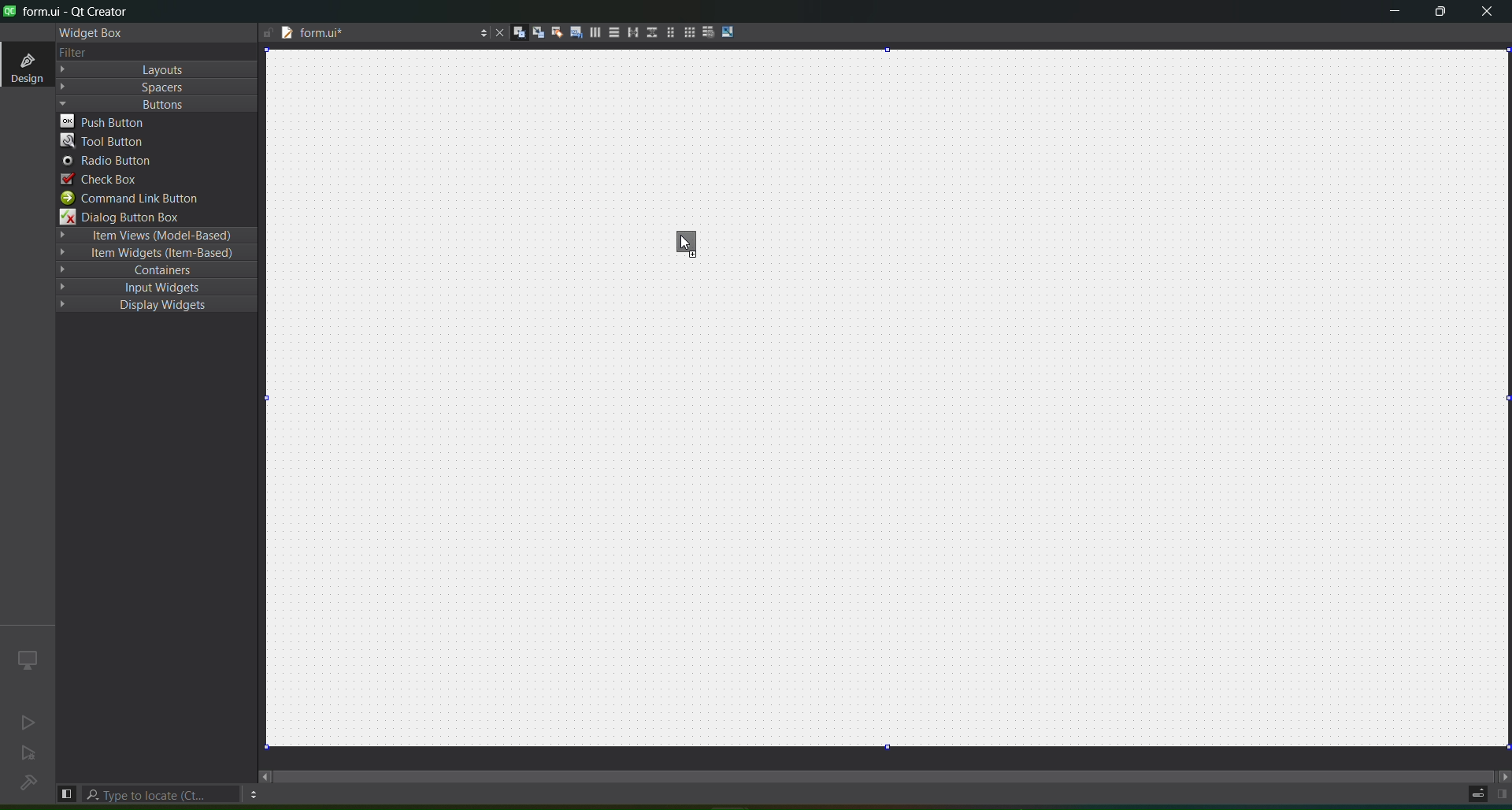 The image size is (1512, 810). I want to click on Layout, so click(158, 69).